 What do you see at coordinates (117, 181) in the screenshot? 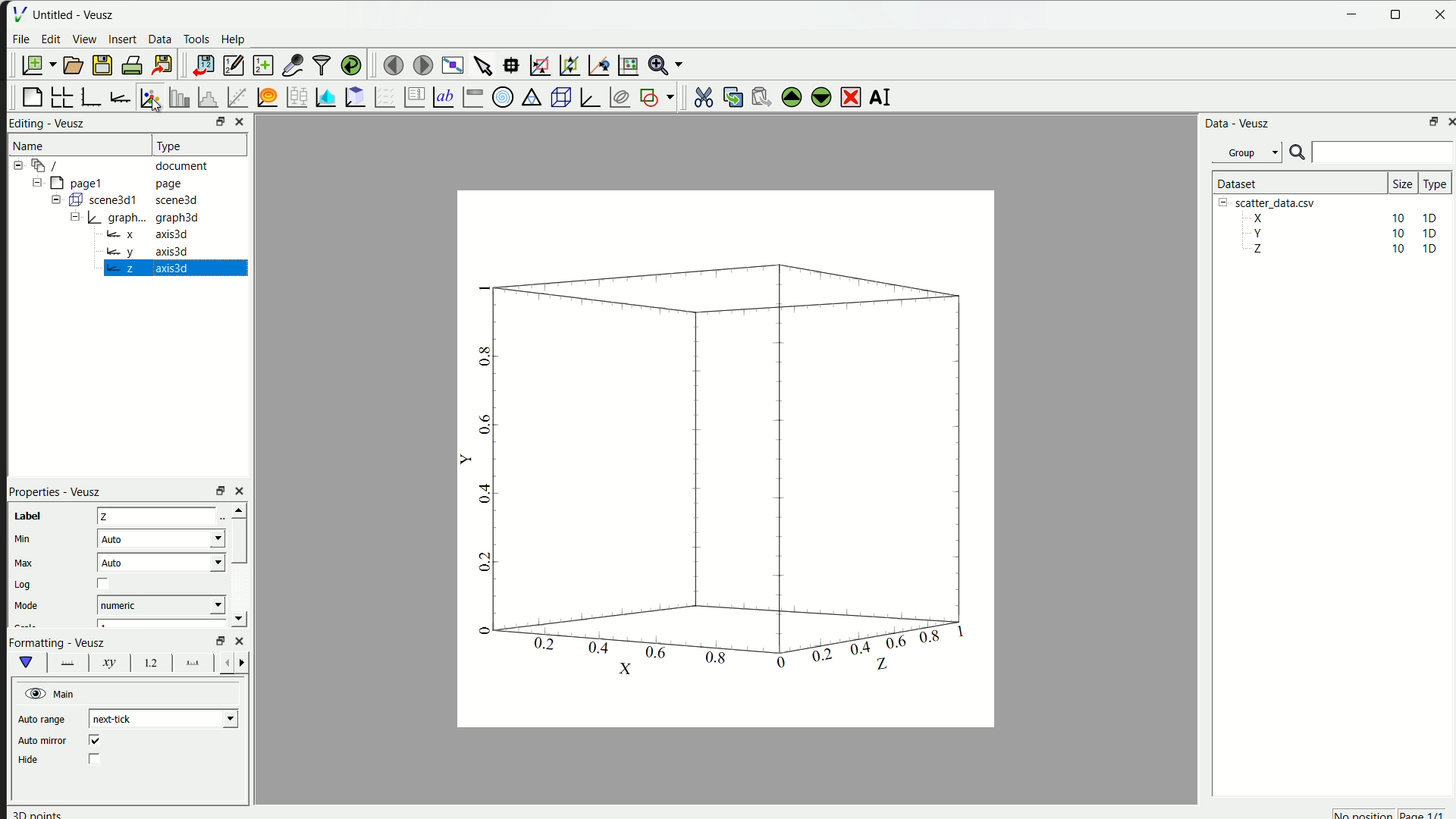
I see `= [MY pagel page` at bounding box center [117, 181].